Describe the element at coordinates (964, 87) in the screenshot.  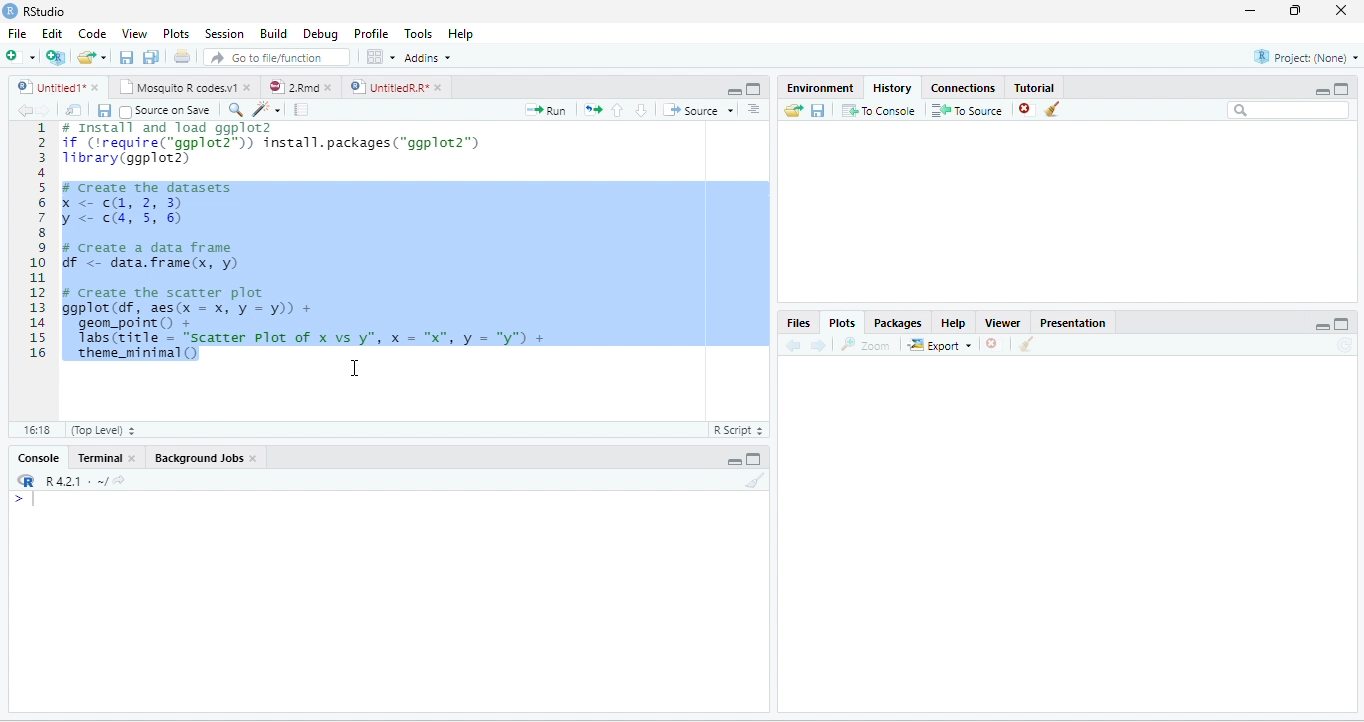
I see `Connections` at that location.